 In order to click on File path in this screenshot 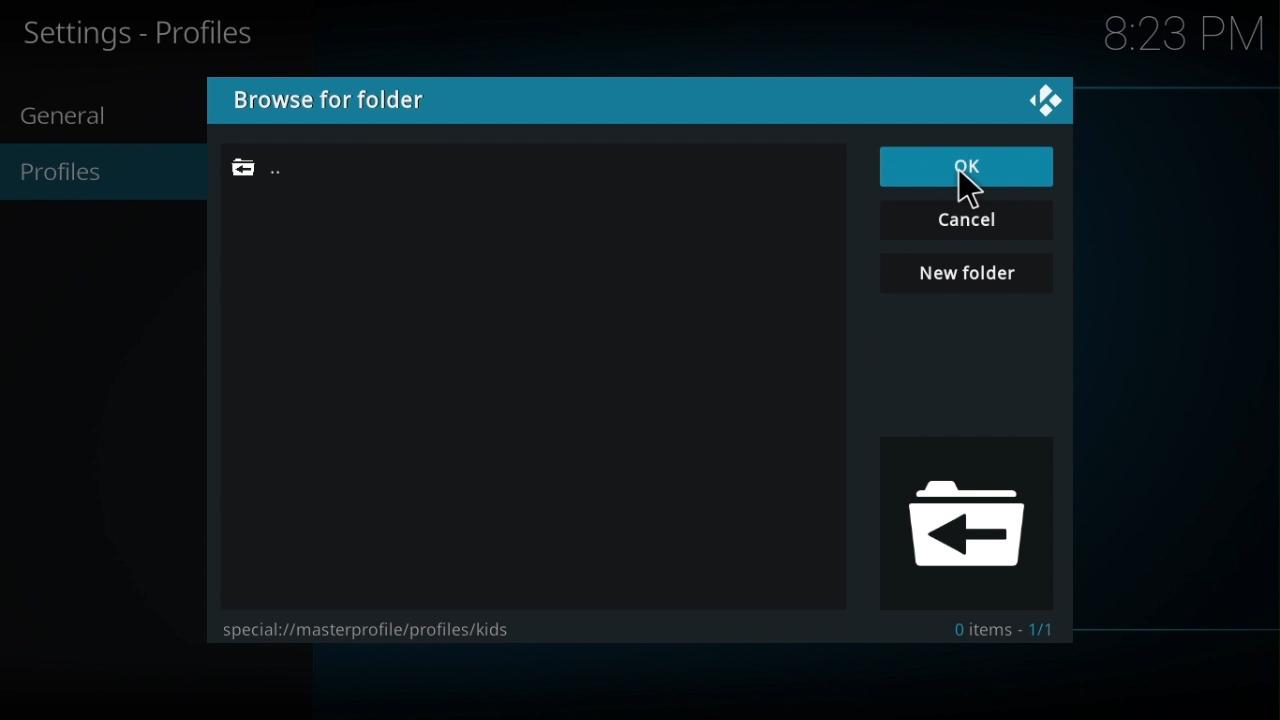, I will do `click(358, 629)`.